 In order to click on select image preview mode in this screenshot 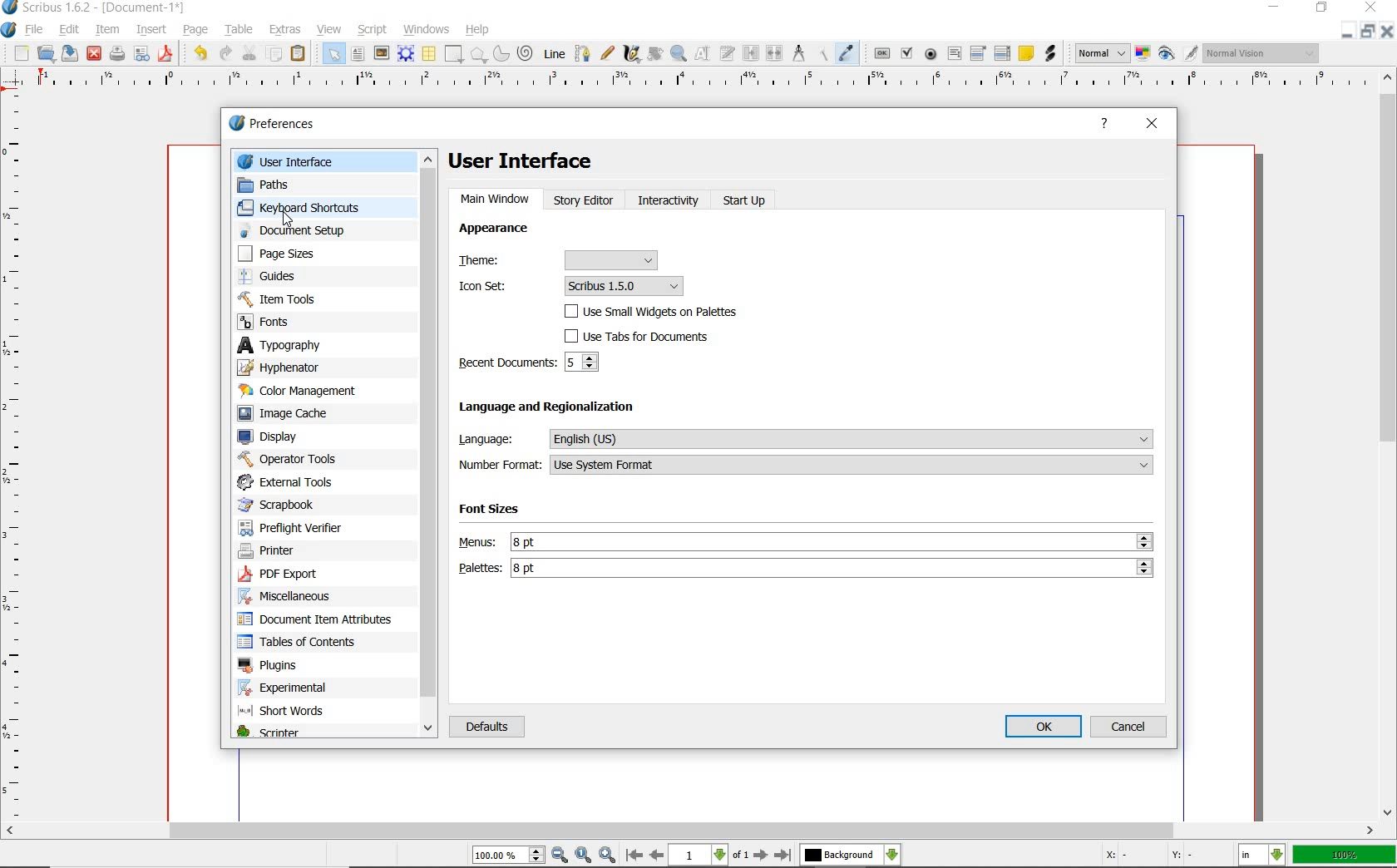, I will do `click(1100, 53)`.